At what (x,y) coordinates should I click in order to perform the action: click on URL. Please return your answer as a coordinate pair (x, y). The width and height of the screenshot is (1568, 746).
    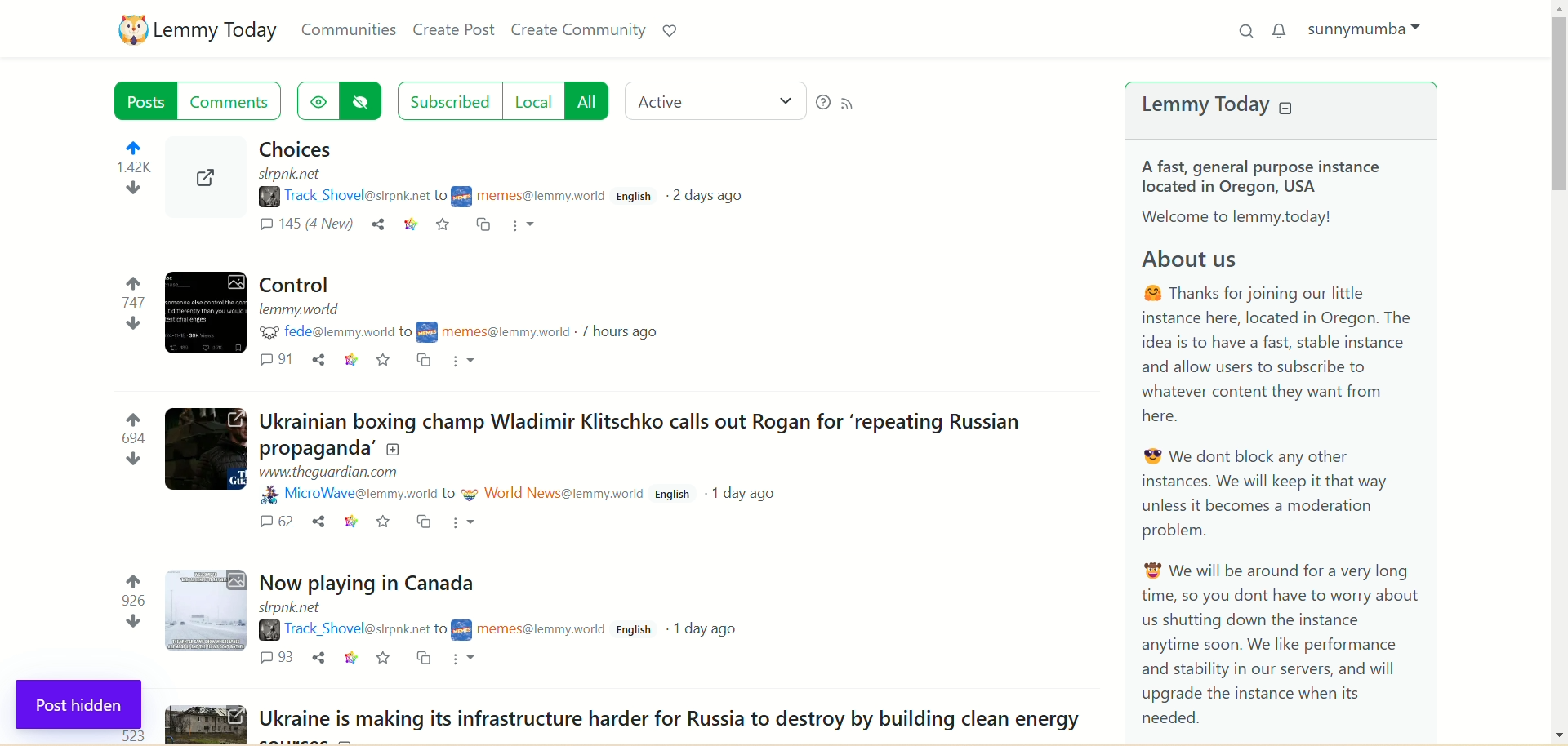
    Looking at the image, I should click on (331, 471).